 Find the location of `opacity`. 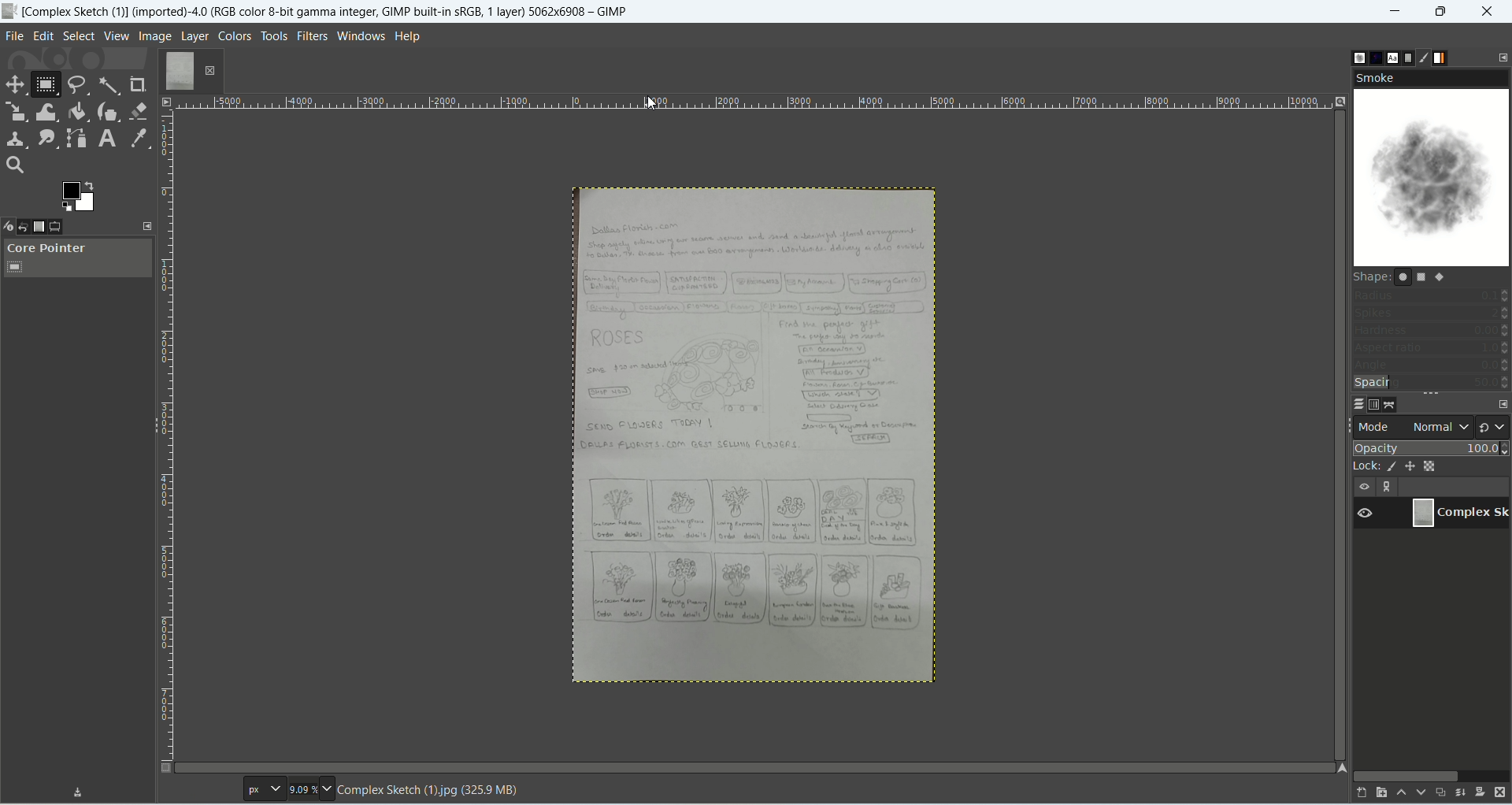

opacity is located at coordinates (1397, 450).